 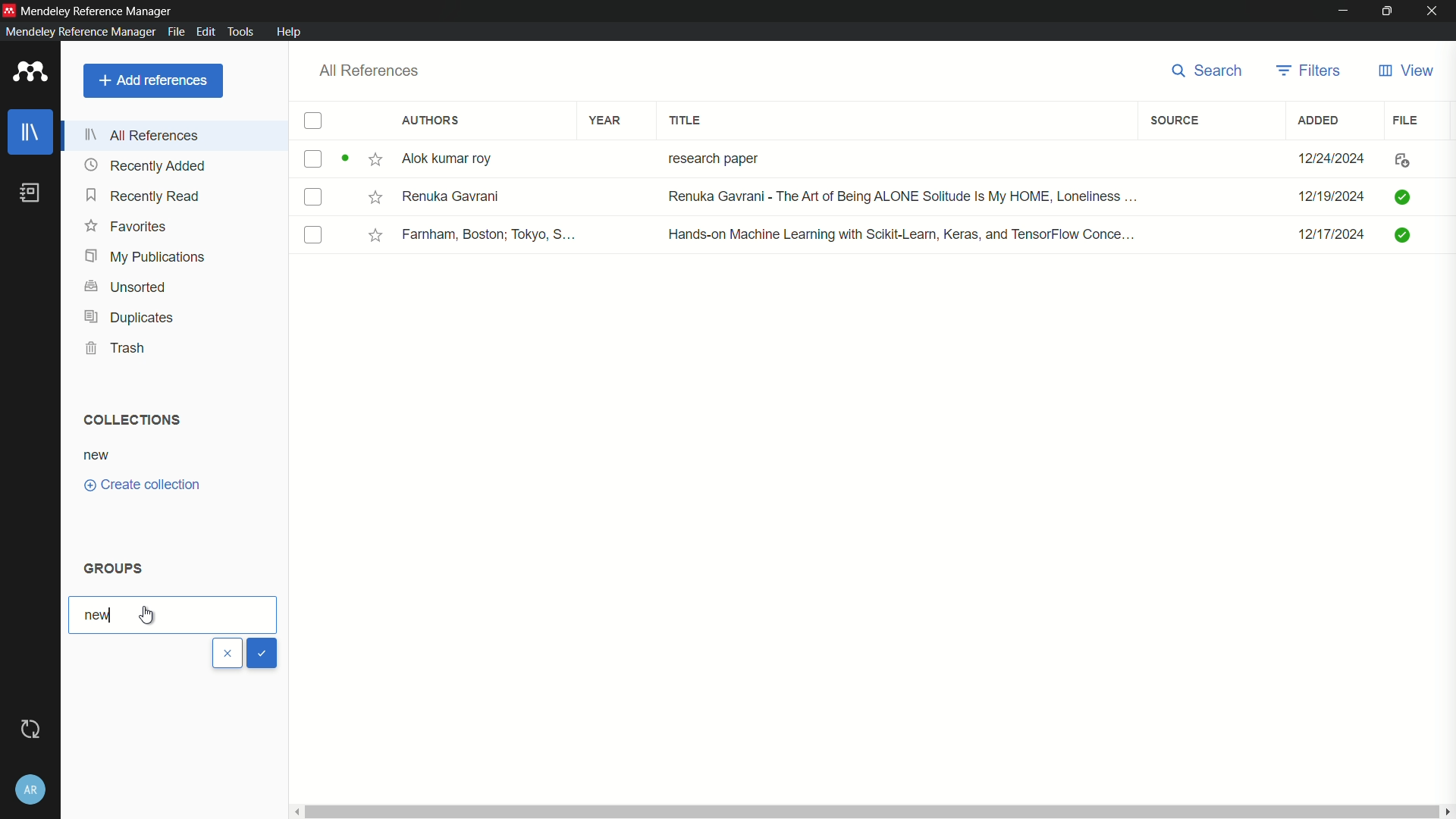 What do you see at coordinates (146, 256) in the screenshot?
I see `my publications` at bounding box center [146, 256].